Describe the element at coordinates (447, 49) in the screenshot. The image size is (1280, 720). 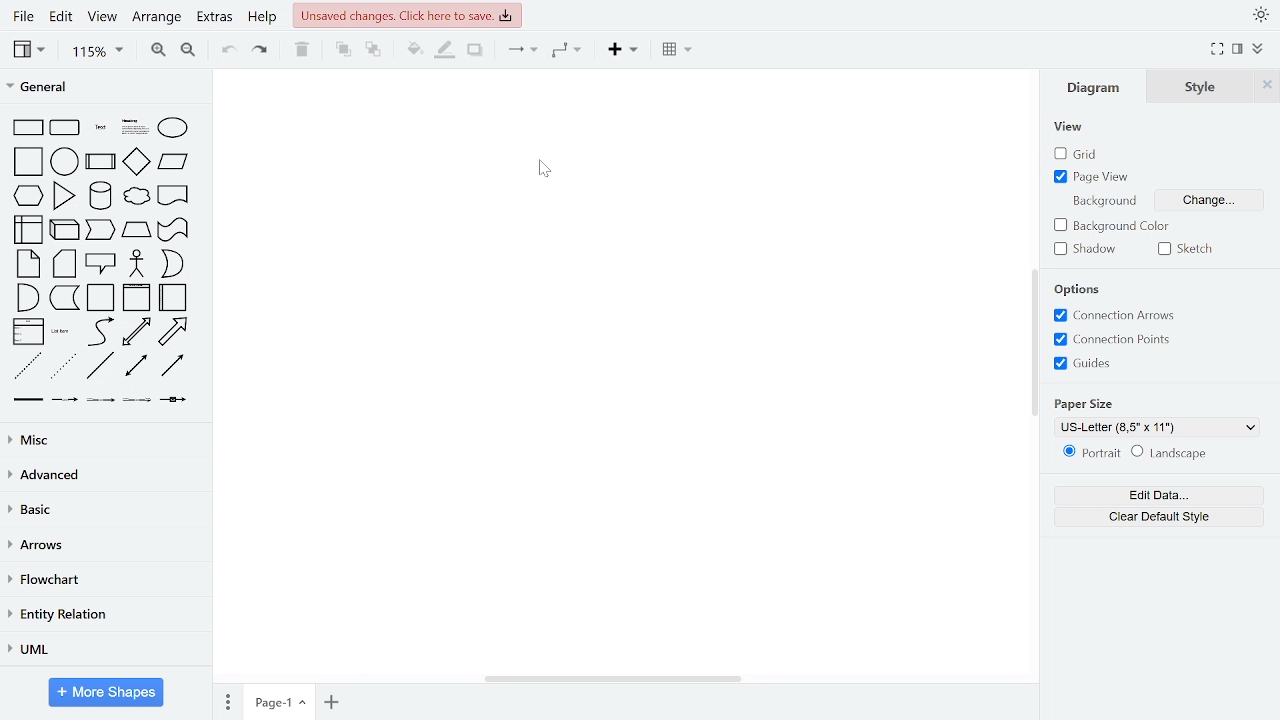
I see `fill line` at that location.